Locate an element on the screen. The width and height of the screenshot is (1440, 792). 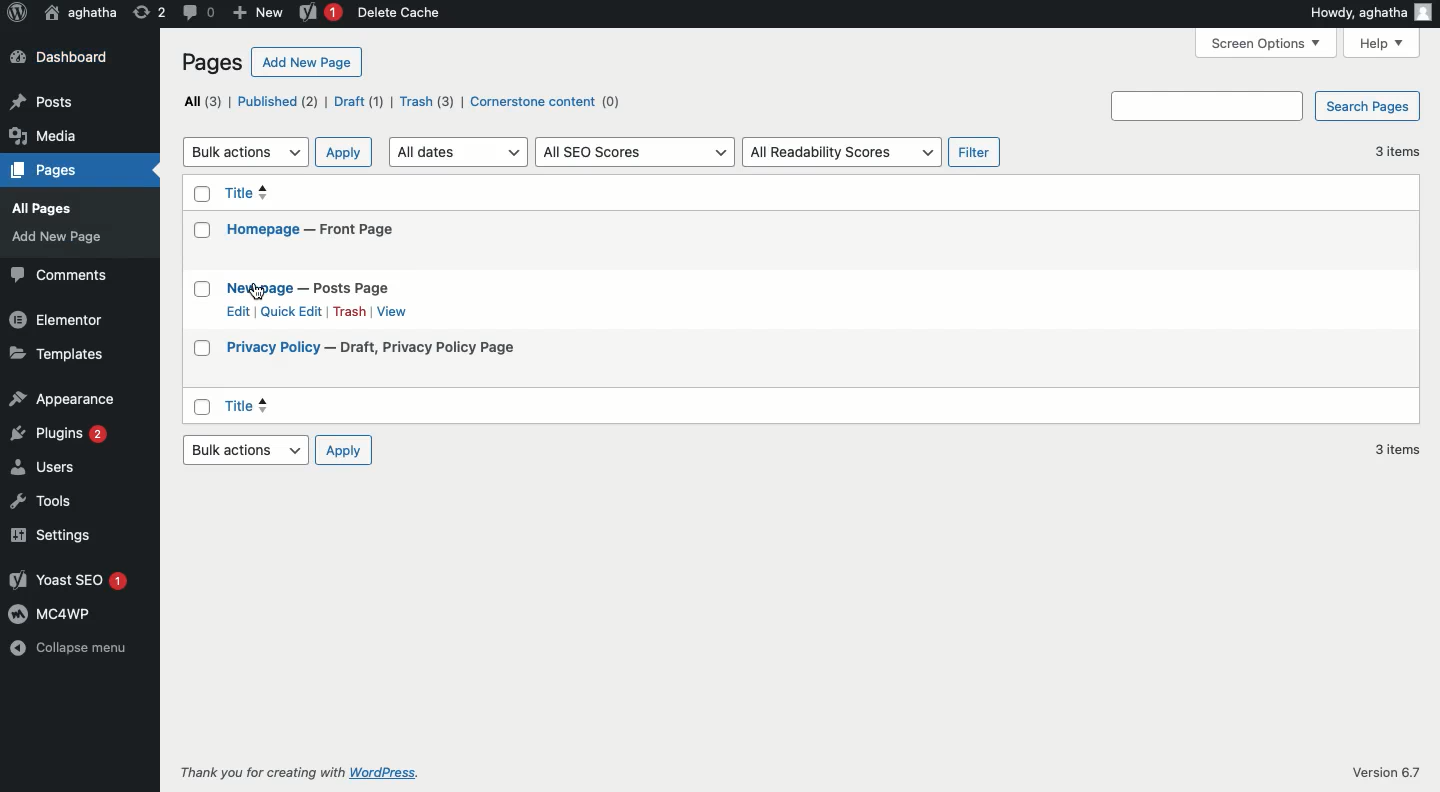
Settings is located at coordinates (47, 536).